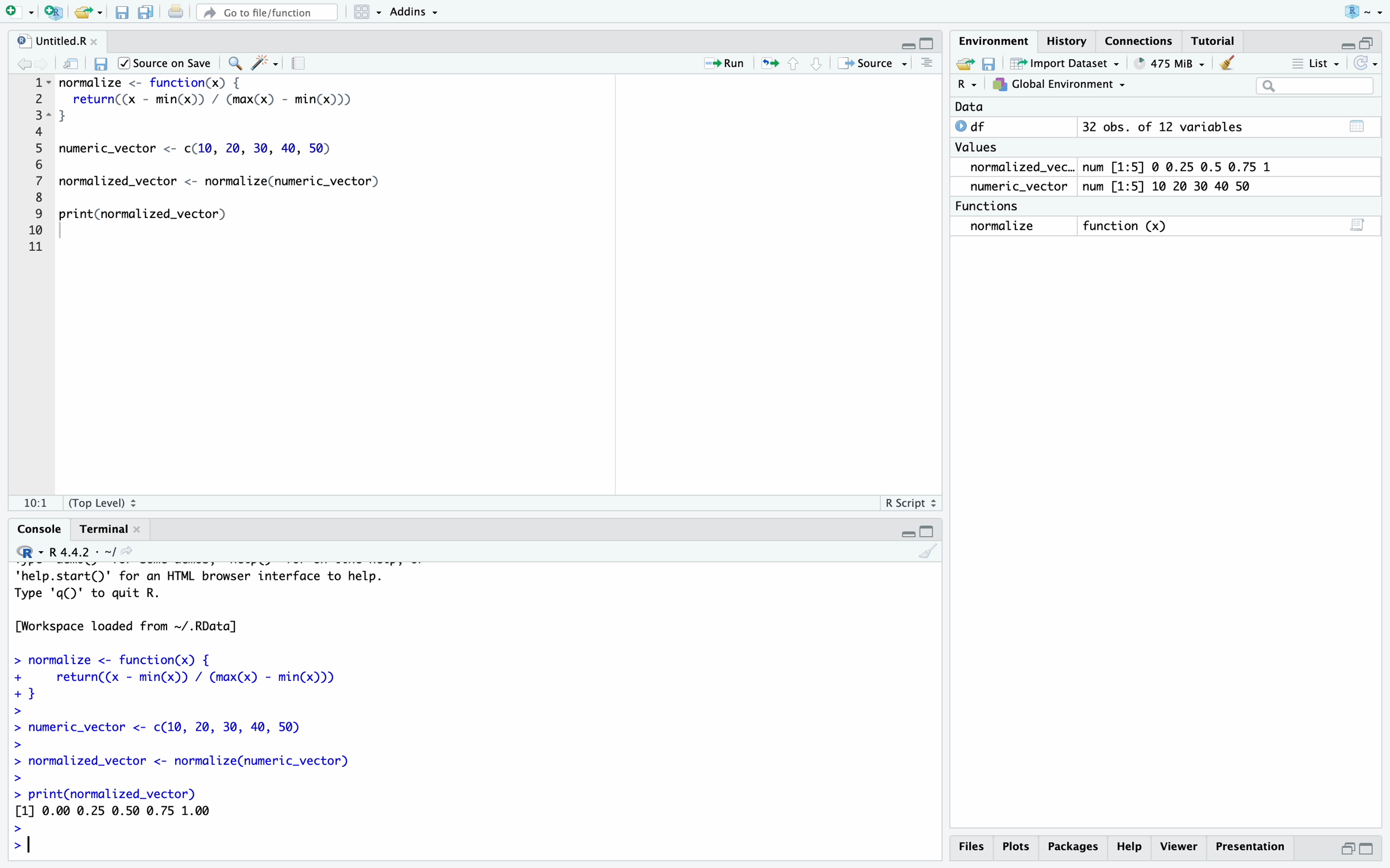 The width and height of the screenshot is (1390, 868). Describe the element at coordinates (906, 534) in the screenshot. I see `Minimize` at that location.